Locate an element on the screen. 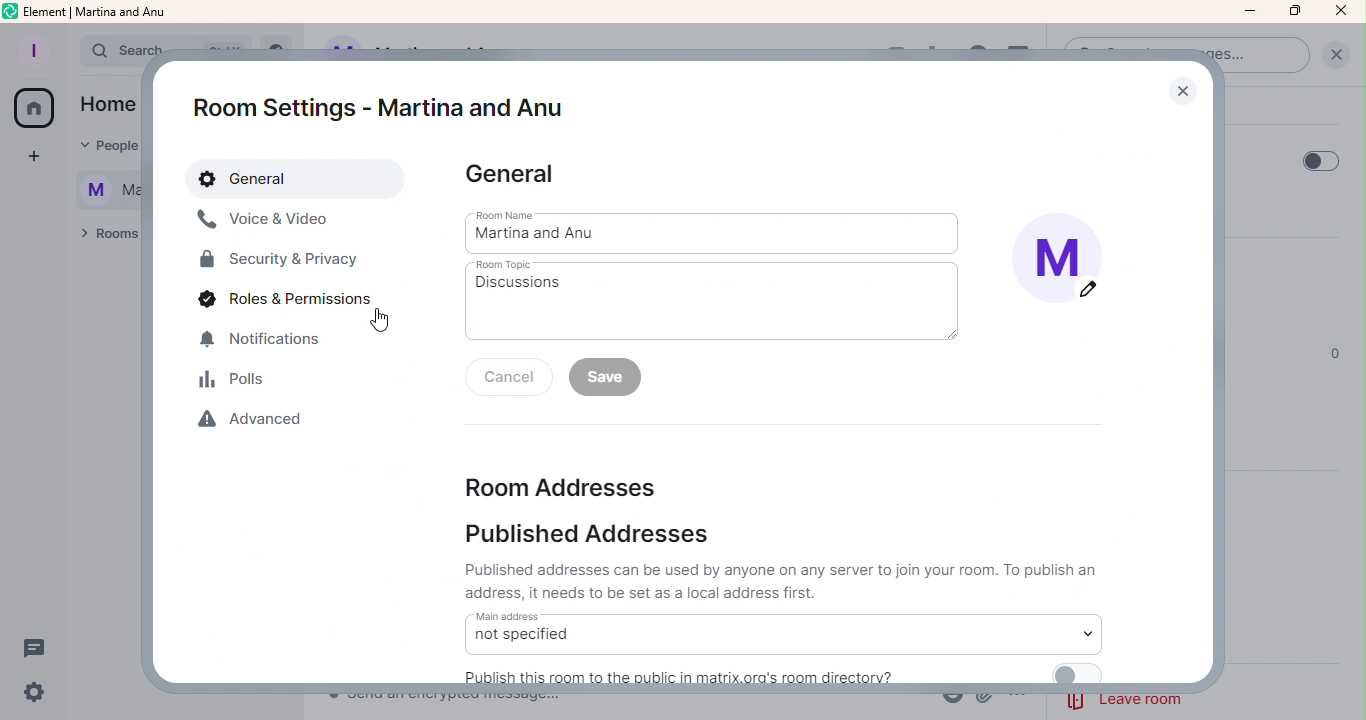 The image size is (1366, 720). Security and privacy is located at coordinates (278, 262).